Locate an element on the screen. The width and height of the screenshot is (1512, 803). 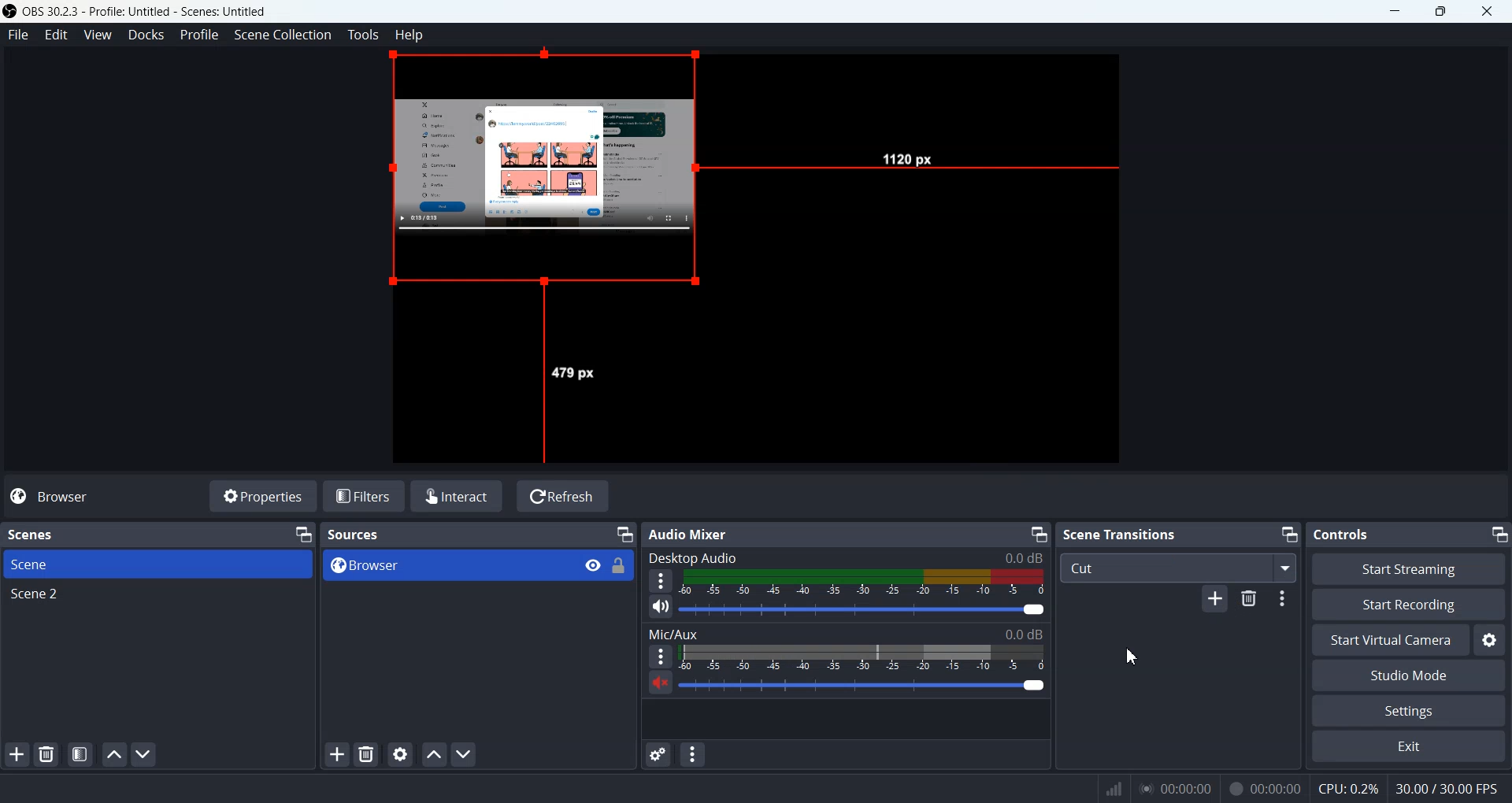
Duration adjuster is located at coordinates (1285, 601).